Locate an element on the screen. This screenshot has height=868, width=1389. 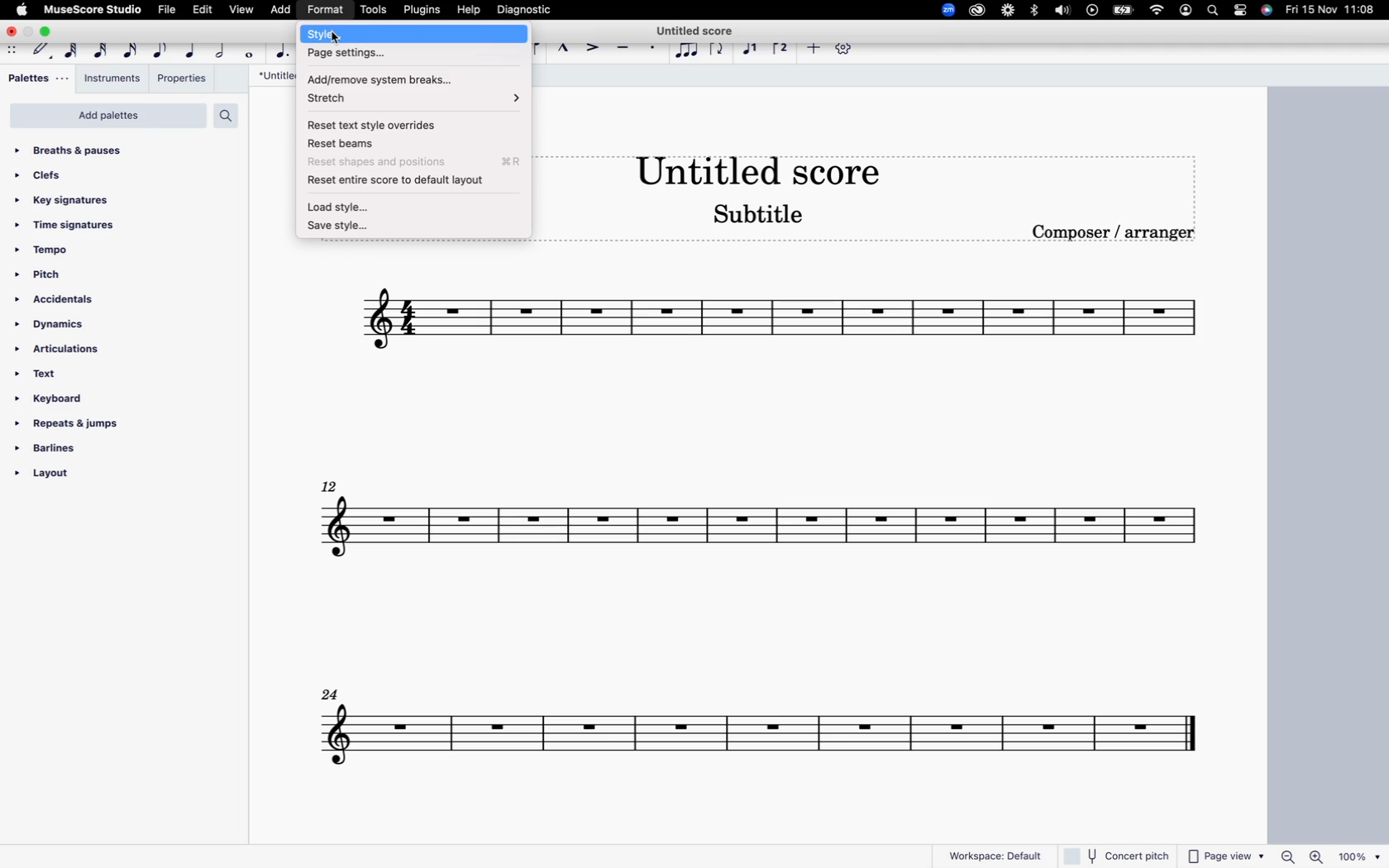
zoom out is located at coordinates (1291, 853).